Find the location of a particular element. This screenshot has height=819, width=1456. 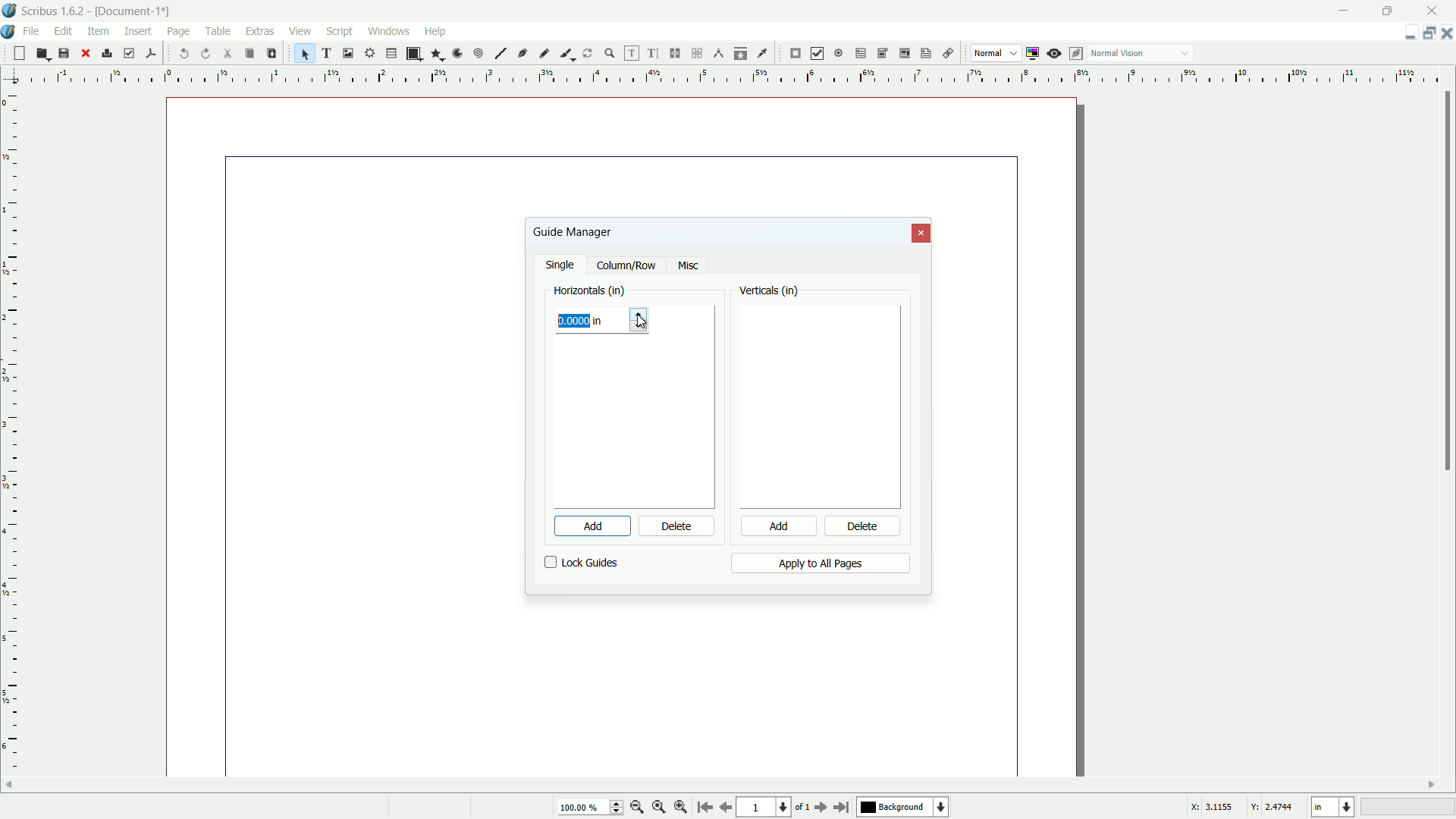

0.0000 is located at coordinates (576, 322).